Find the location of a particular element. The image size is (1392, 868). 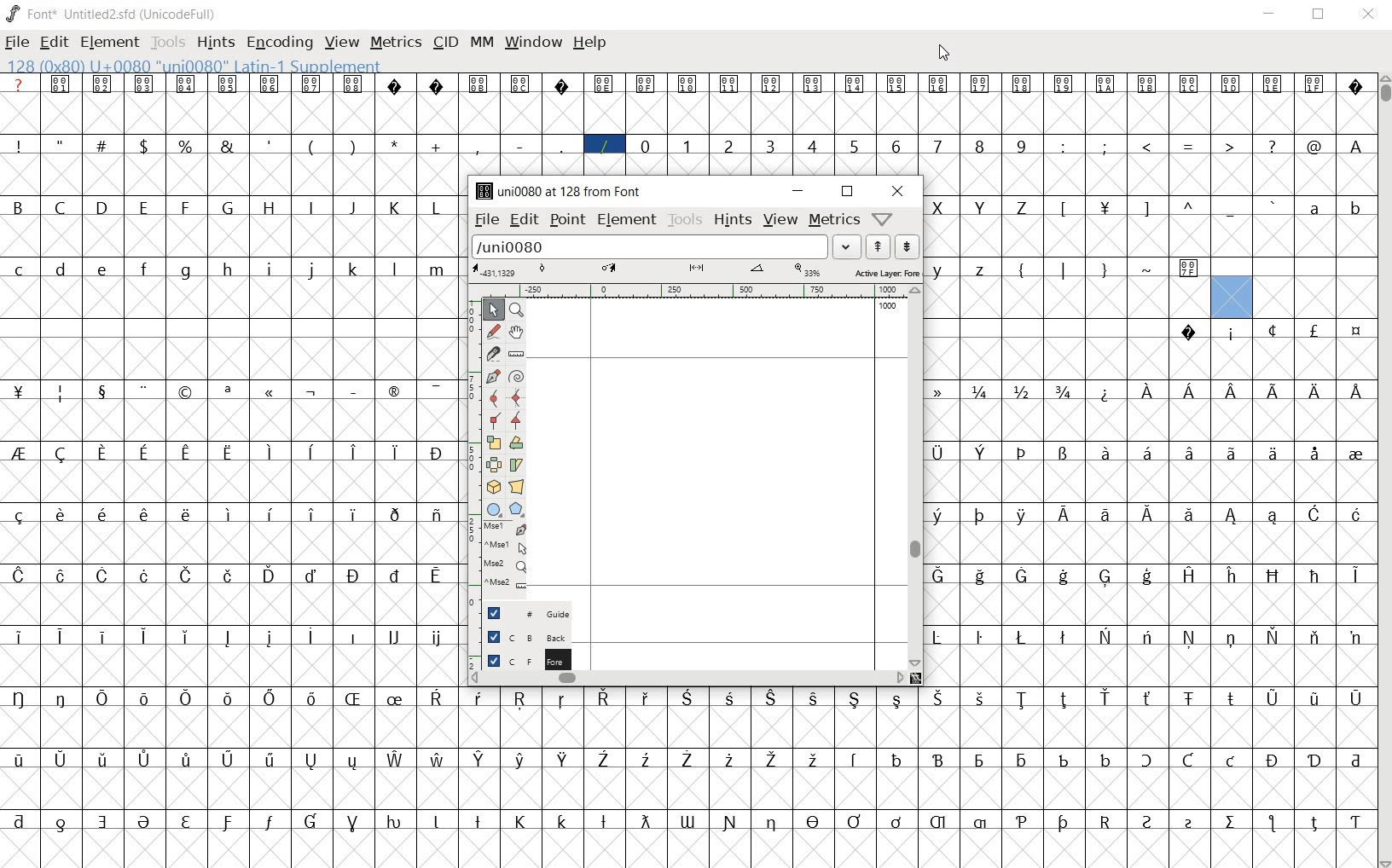

glyph is located at coordinates (227, 638).